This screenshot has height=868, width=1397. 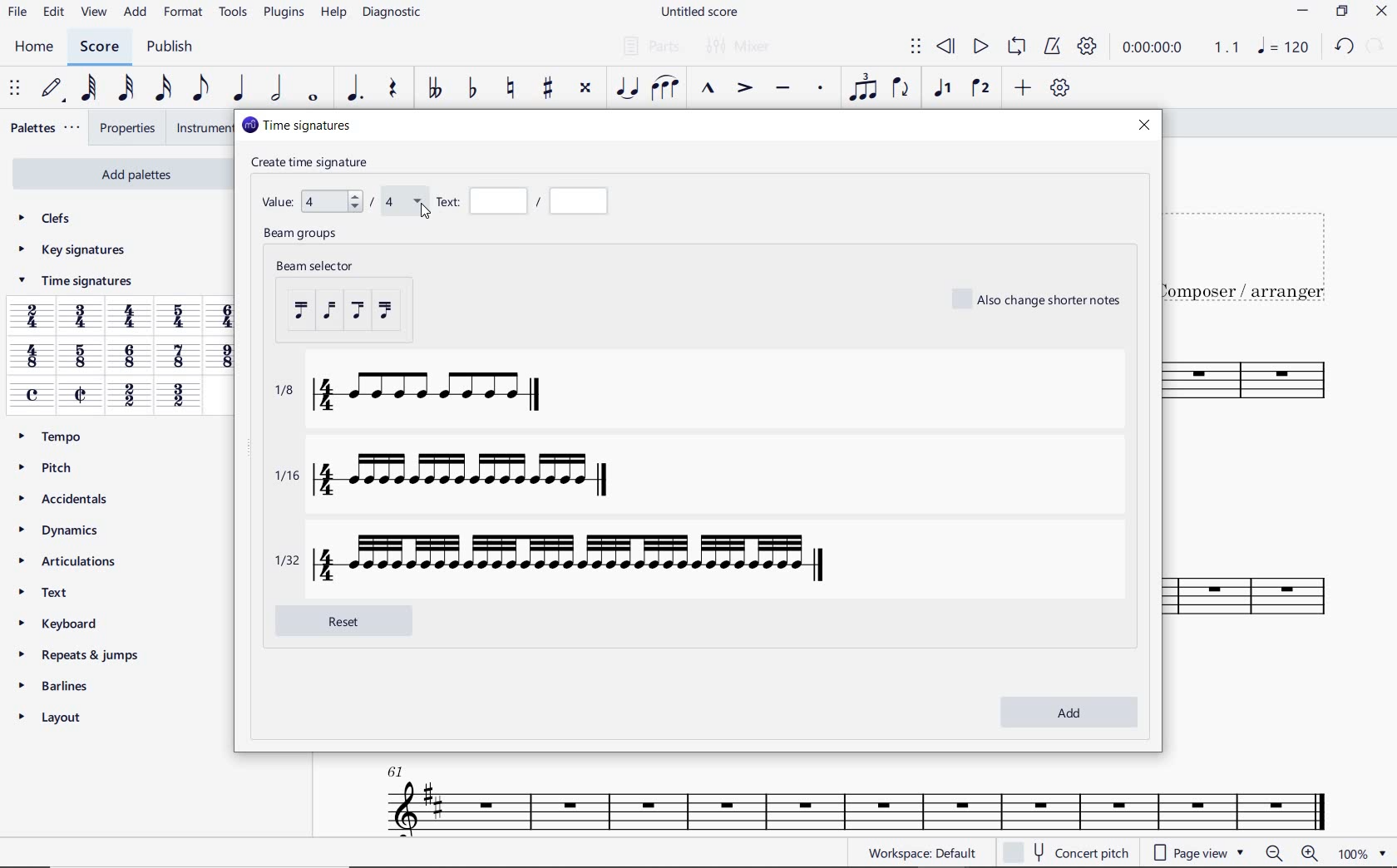 What do you see at coordinates (136, 13) in the screenshot?
I see `ADD` at bounding box center [136, 13].